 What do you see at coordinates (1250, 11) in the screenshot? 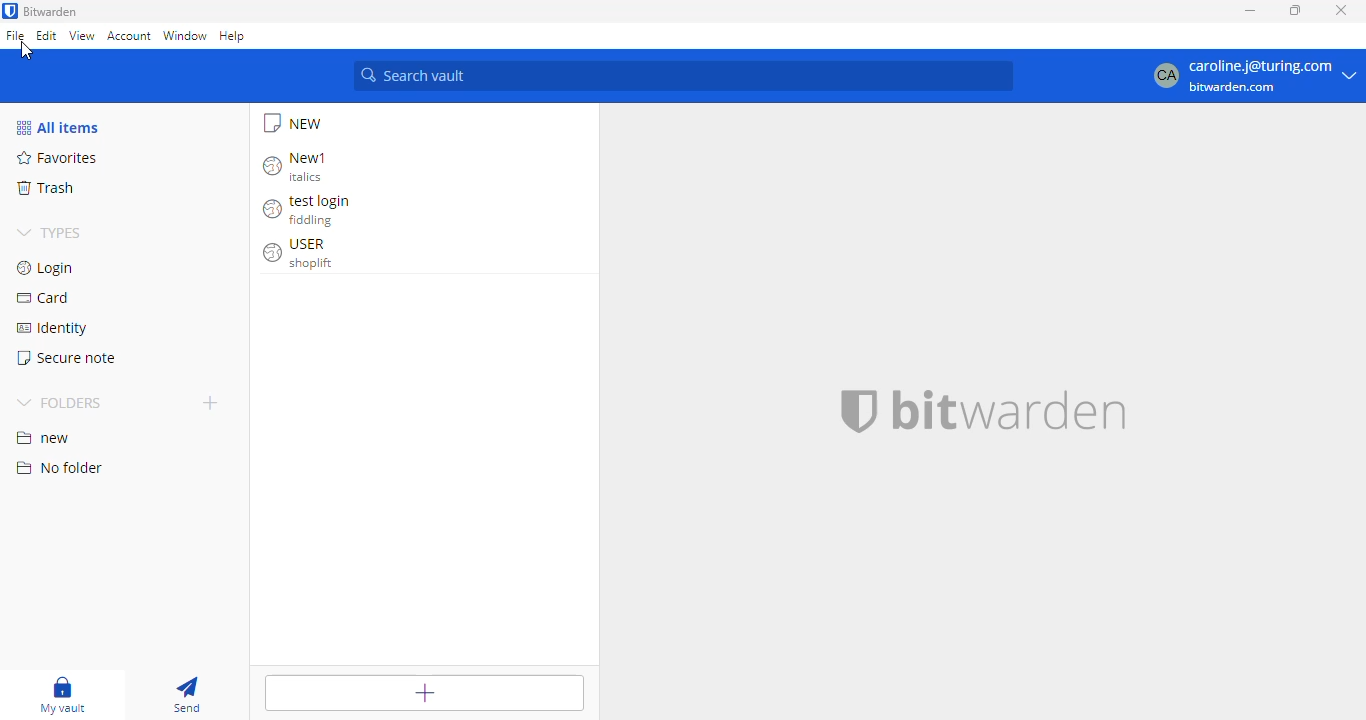
I see `minimize` at bounding box center [1250, 11].